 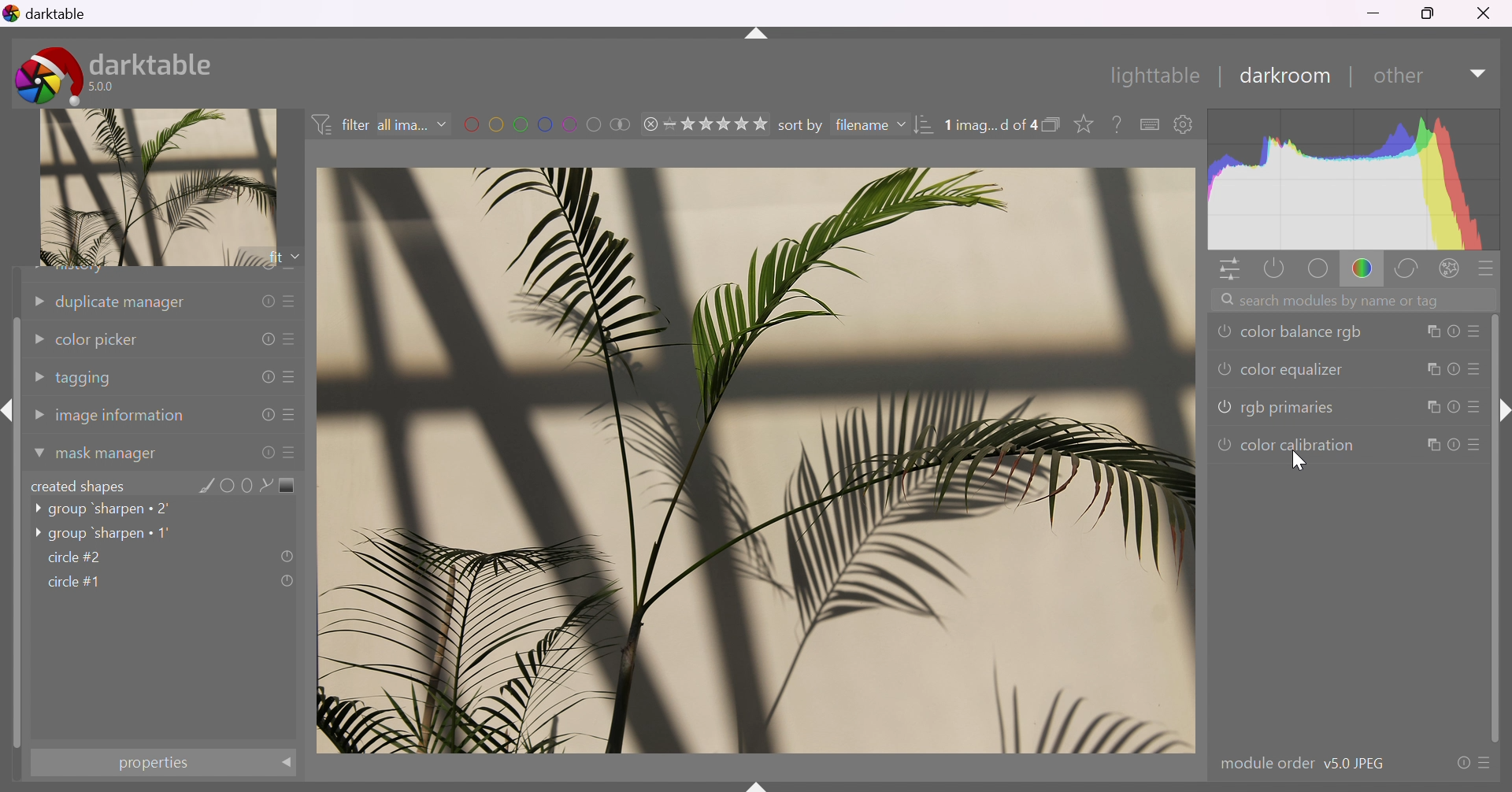 I want to click on module order v5.0 JPEG, so click(x=1300, y=764).